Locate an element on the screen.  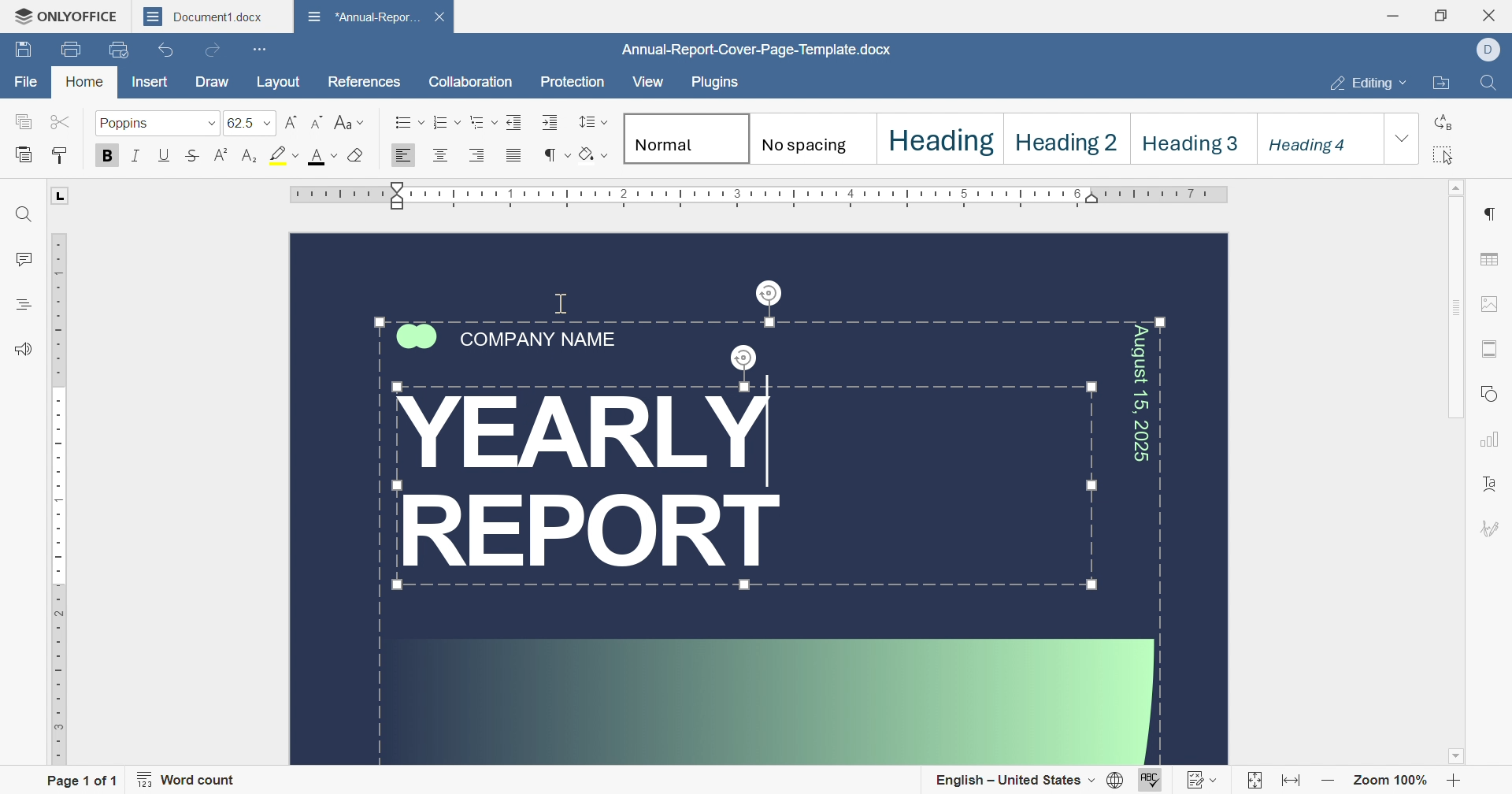
superscript is located at coordinates (224, 157).